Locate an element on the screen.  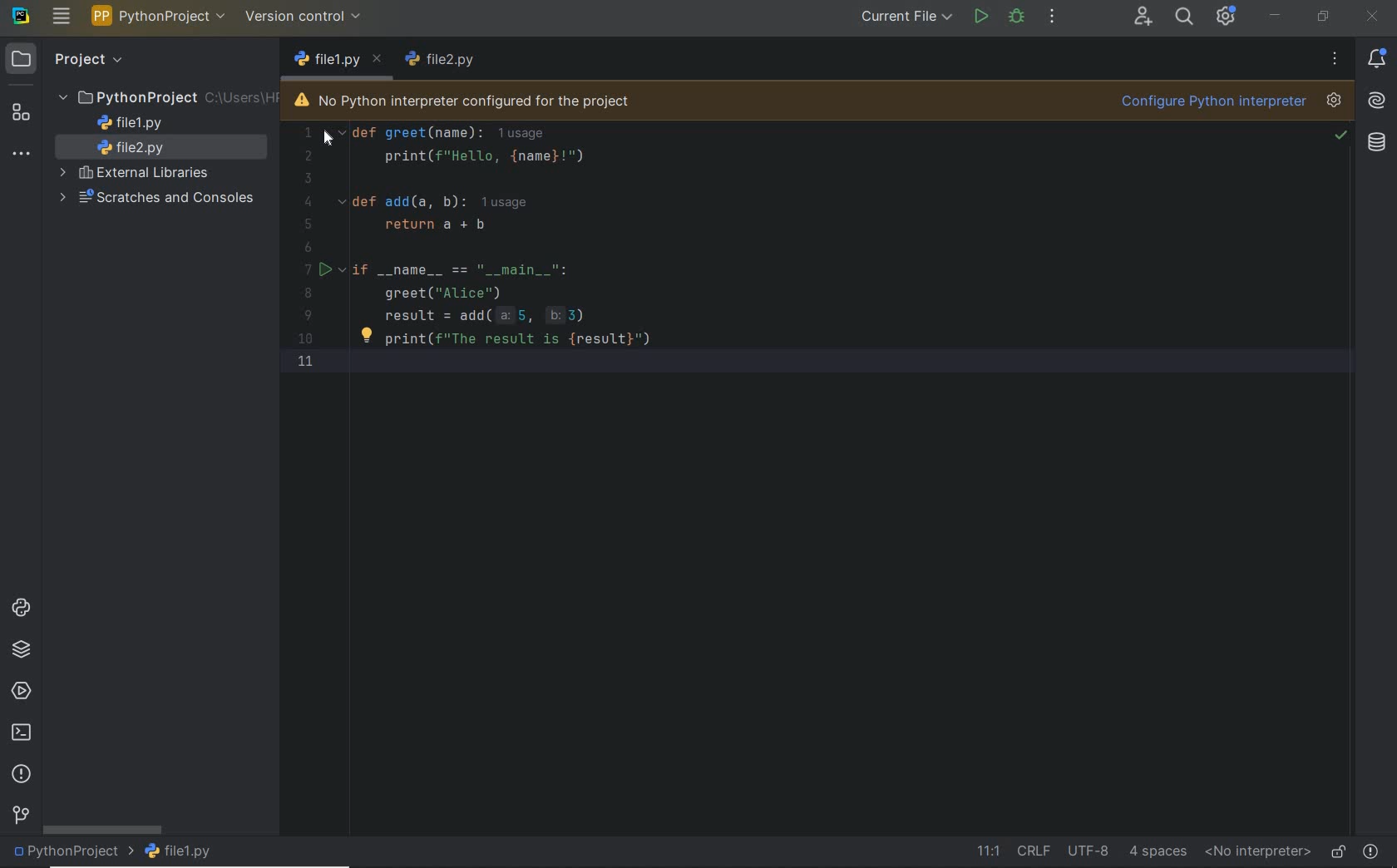
code with me is located at coordinates (1143, 18).